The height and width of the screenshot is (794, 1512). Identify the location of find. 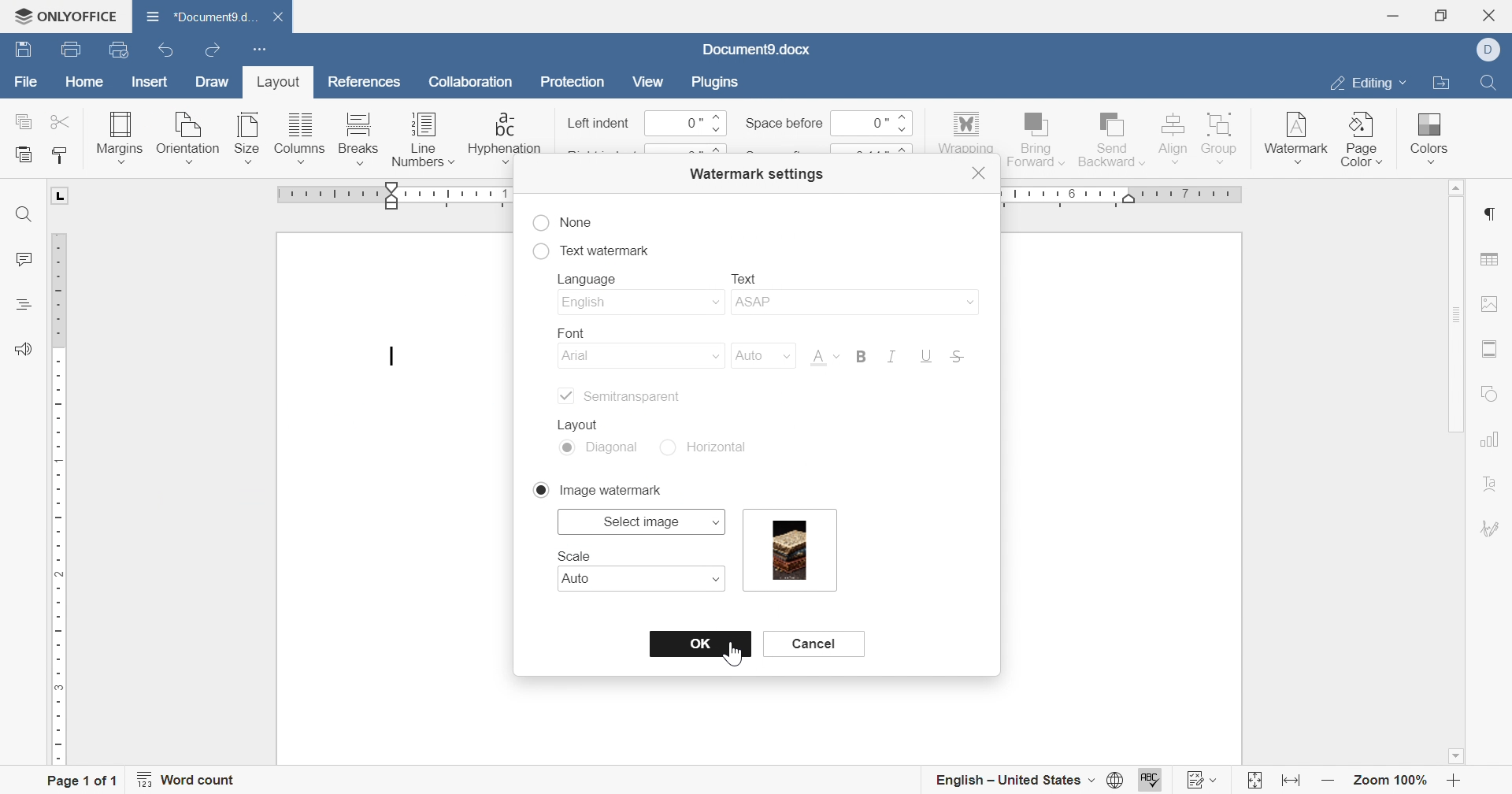
(1487, 80).